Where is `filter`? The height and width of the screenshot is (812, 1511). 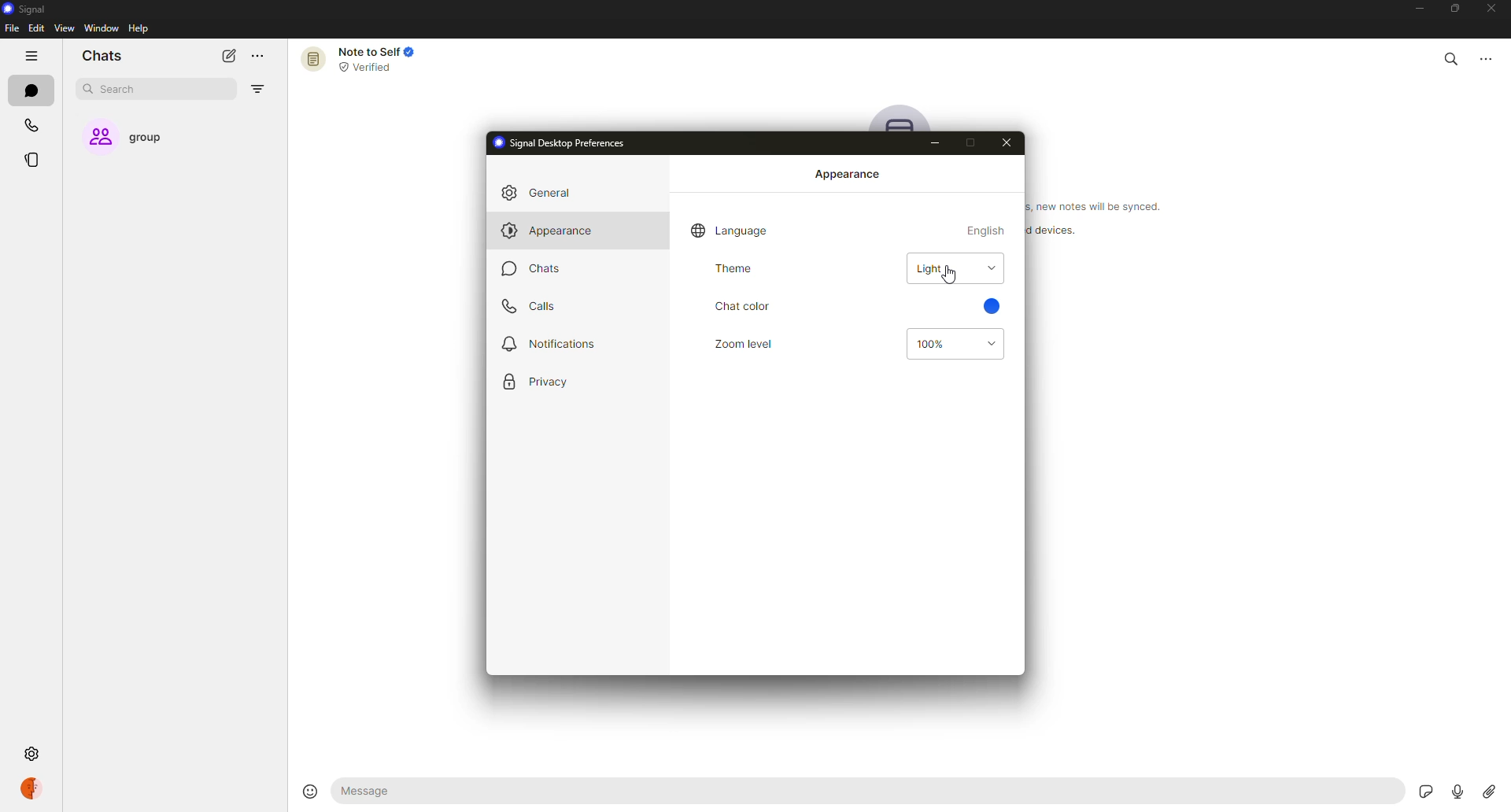
filter is located at coordinates (257, 90).